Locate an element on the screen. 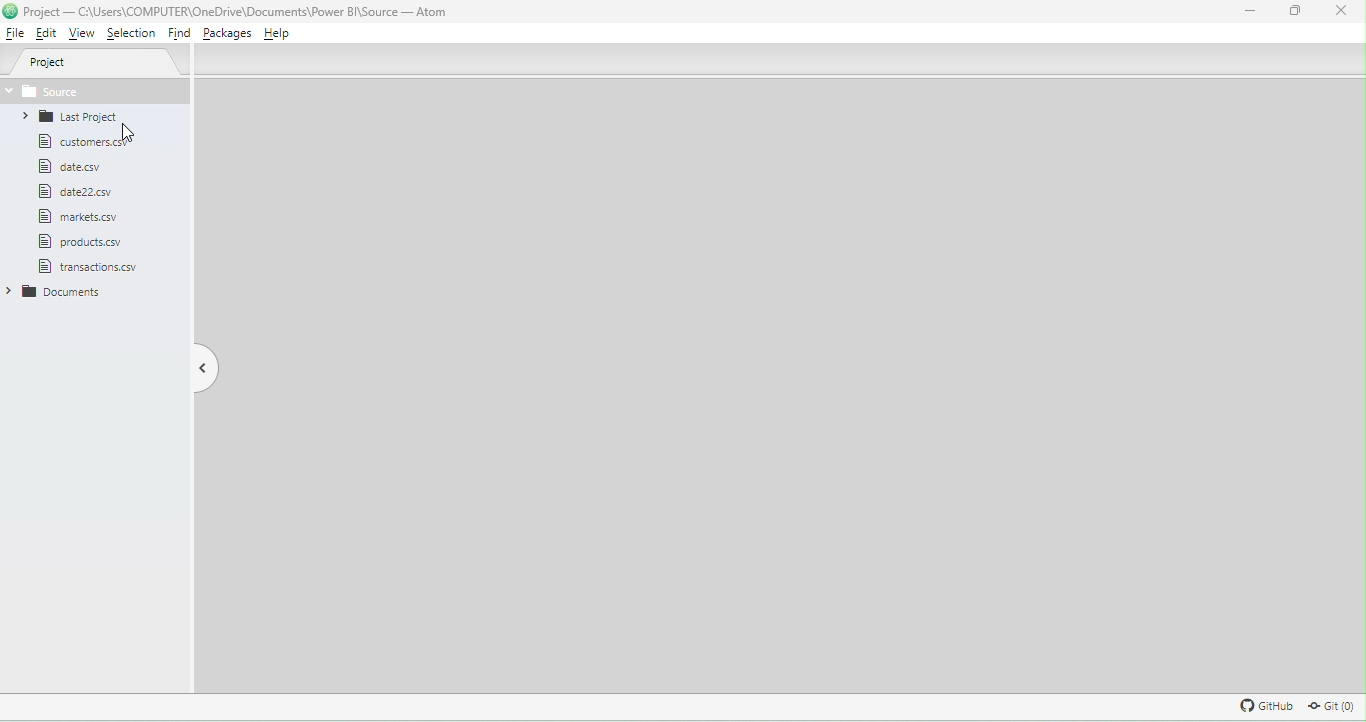 This screenshot has height=722, width=1366. Maximize is located at coordinates (1291, 13).